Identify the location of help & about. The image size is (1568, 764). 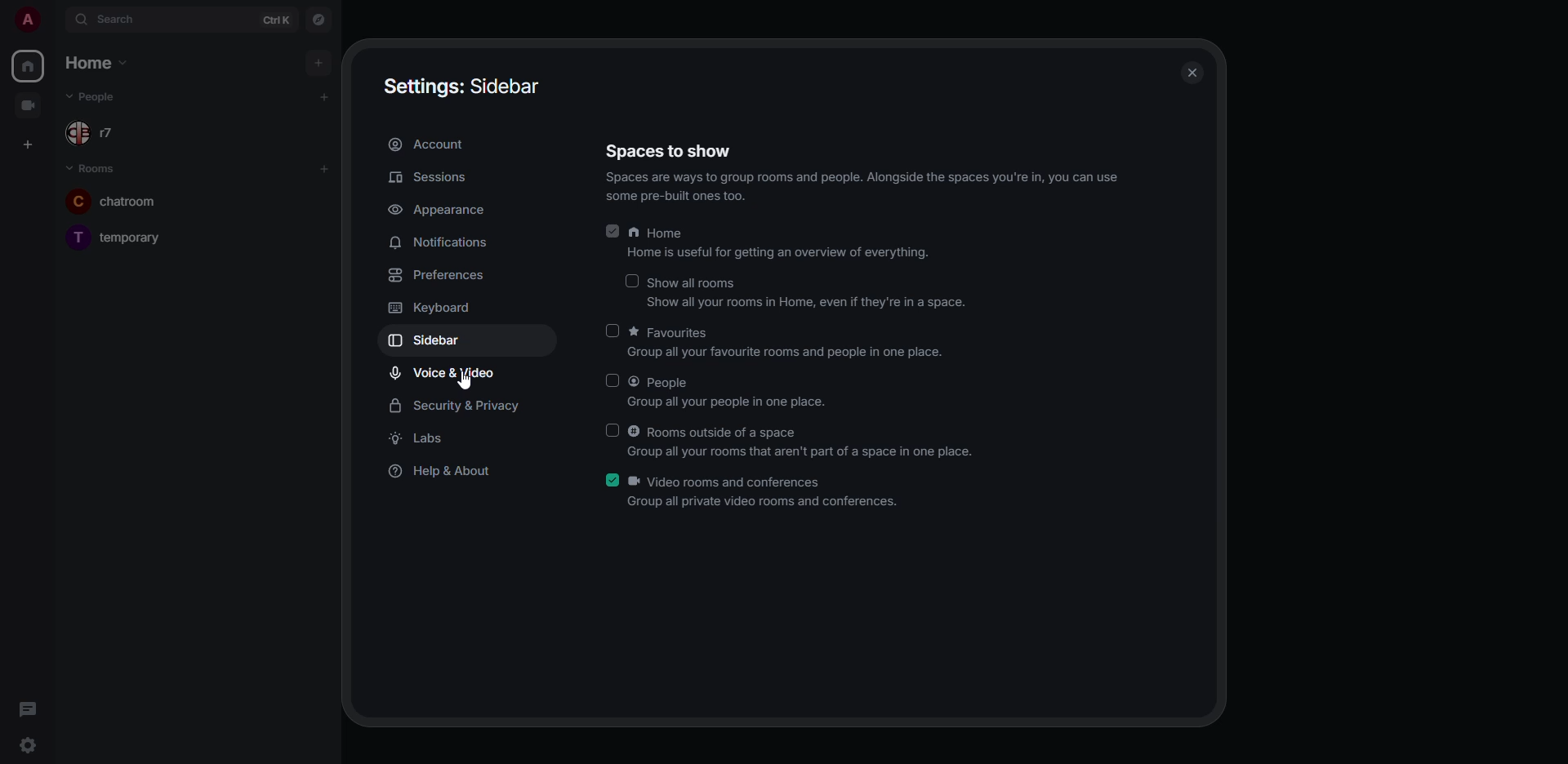
(439, 472).